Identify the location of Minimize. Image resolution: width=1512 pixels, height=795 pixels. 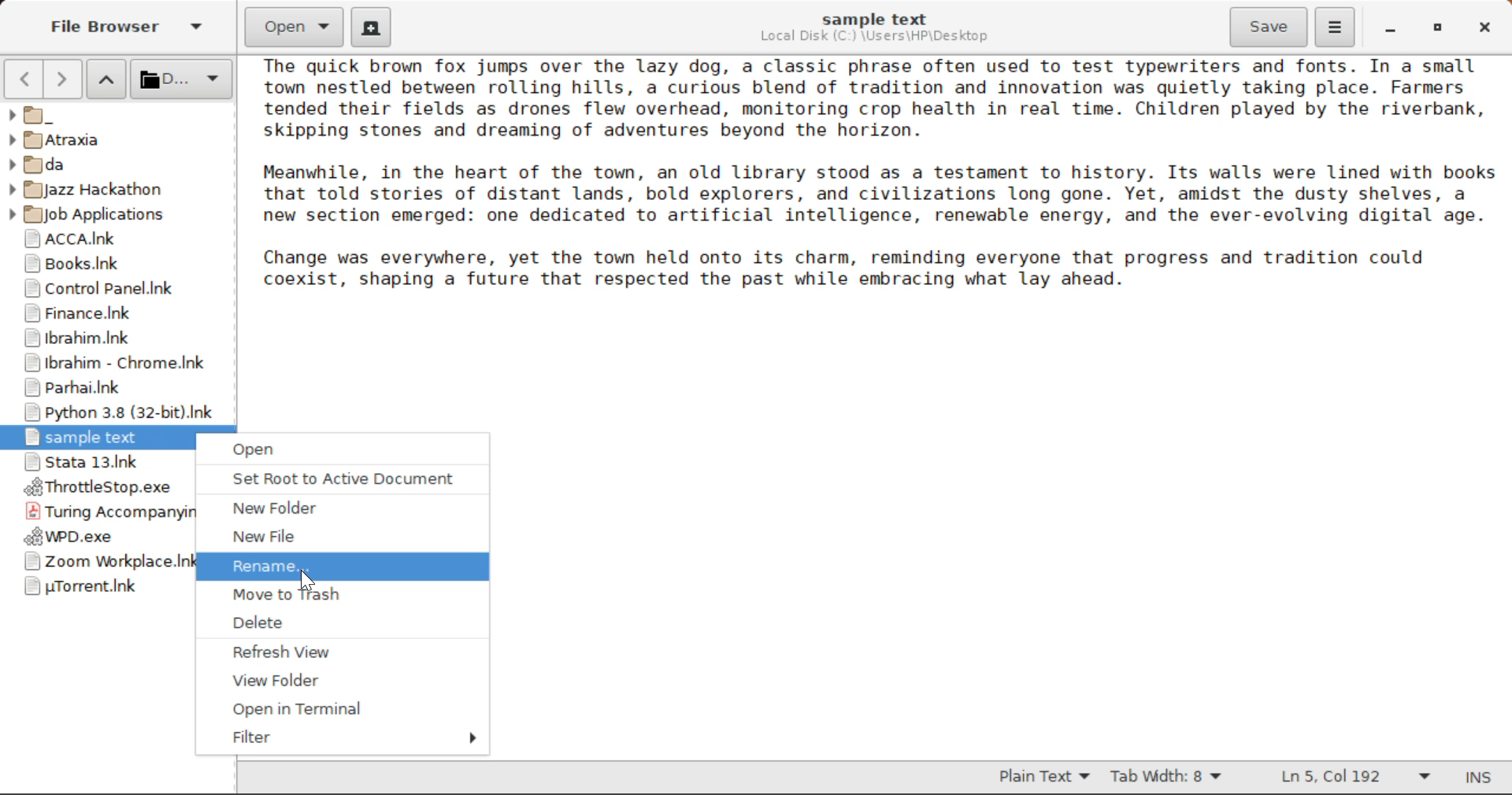
(1432, 28).